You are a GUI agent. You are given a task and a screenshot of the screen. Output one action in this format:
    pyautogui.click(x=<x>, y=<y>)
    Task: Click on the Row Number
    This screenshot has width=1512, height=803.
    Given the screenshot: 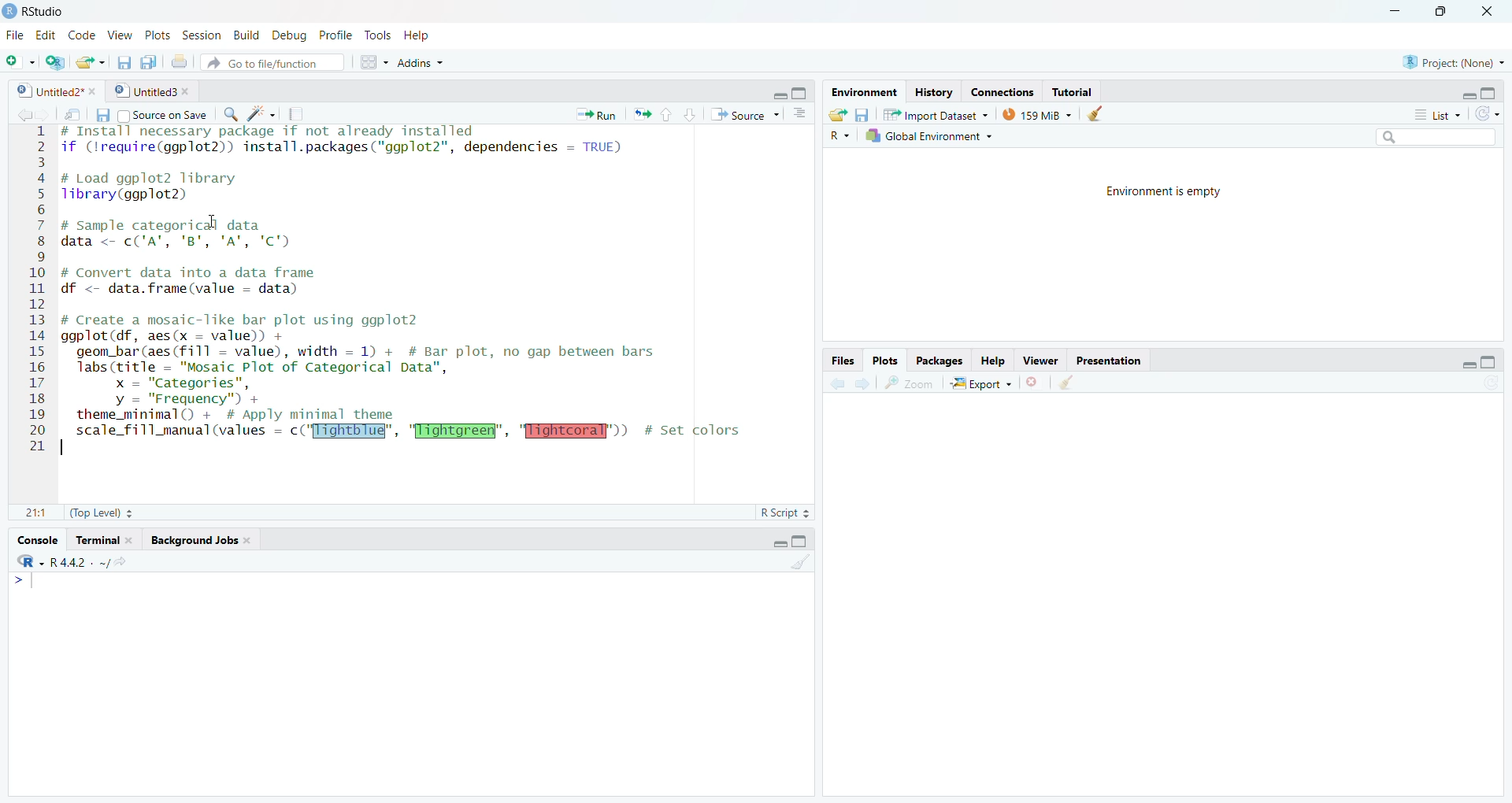 What is the action you would take?
    pyautogui.click(x=35, y=290)
    